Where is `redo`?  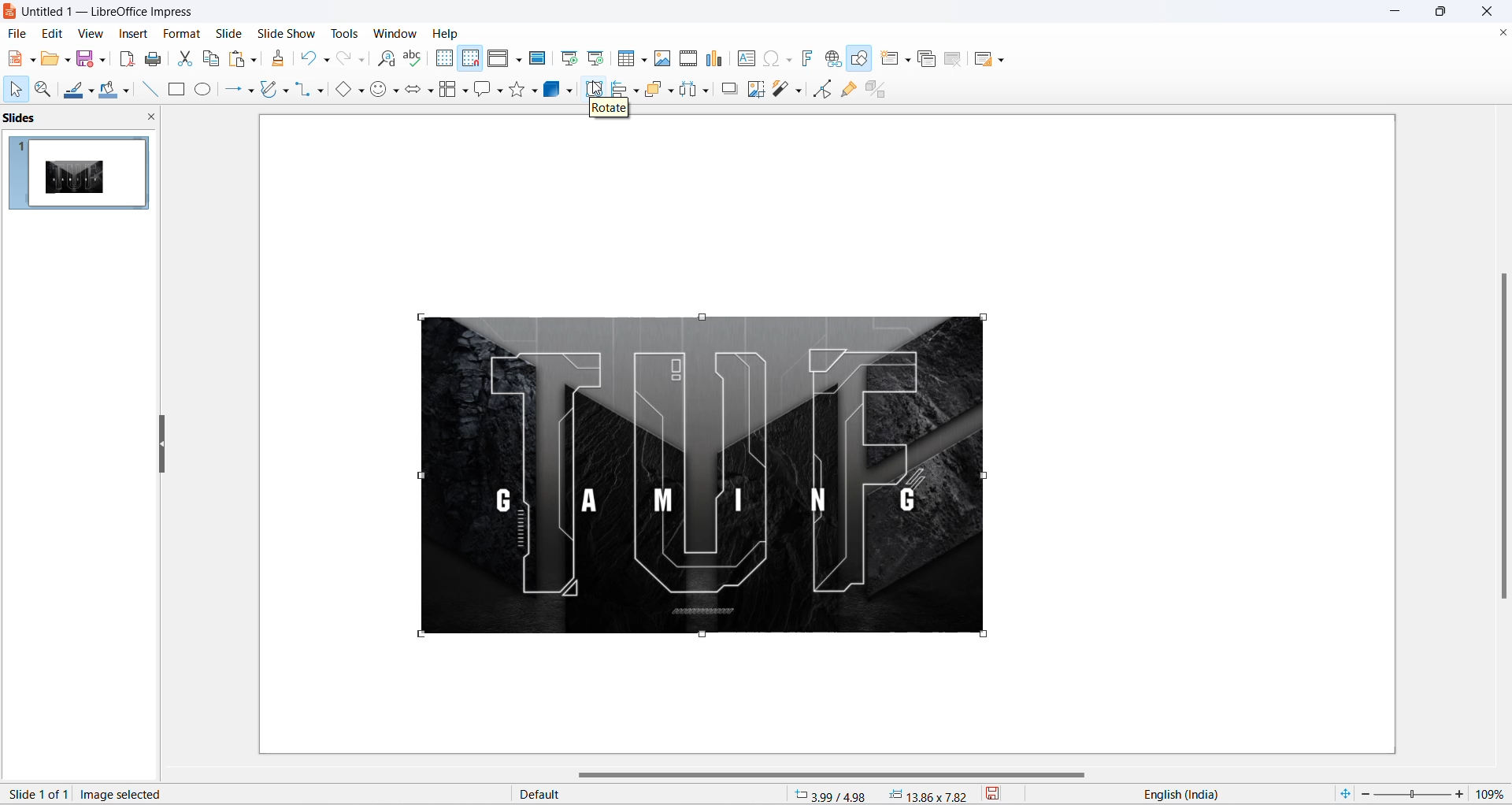 redo is located at coordinates (344, 59).